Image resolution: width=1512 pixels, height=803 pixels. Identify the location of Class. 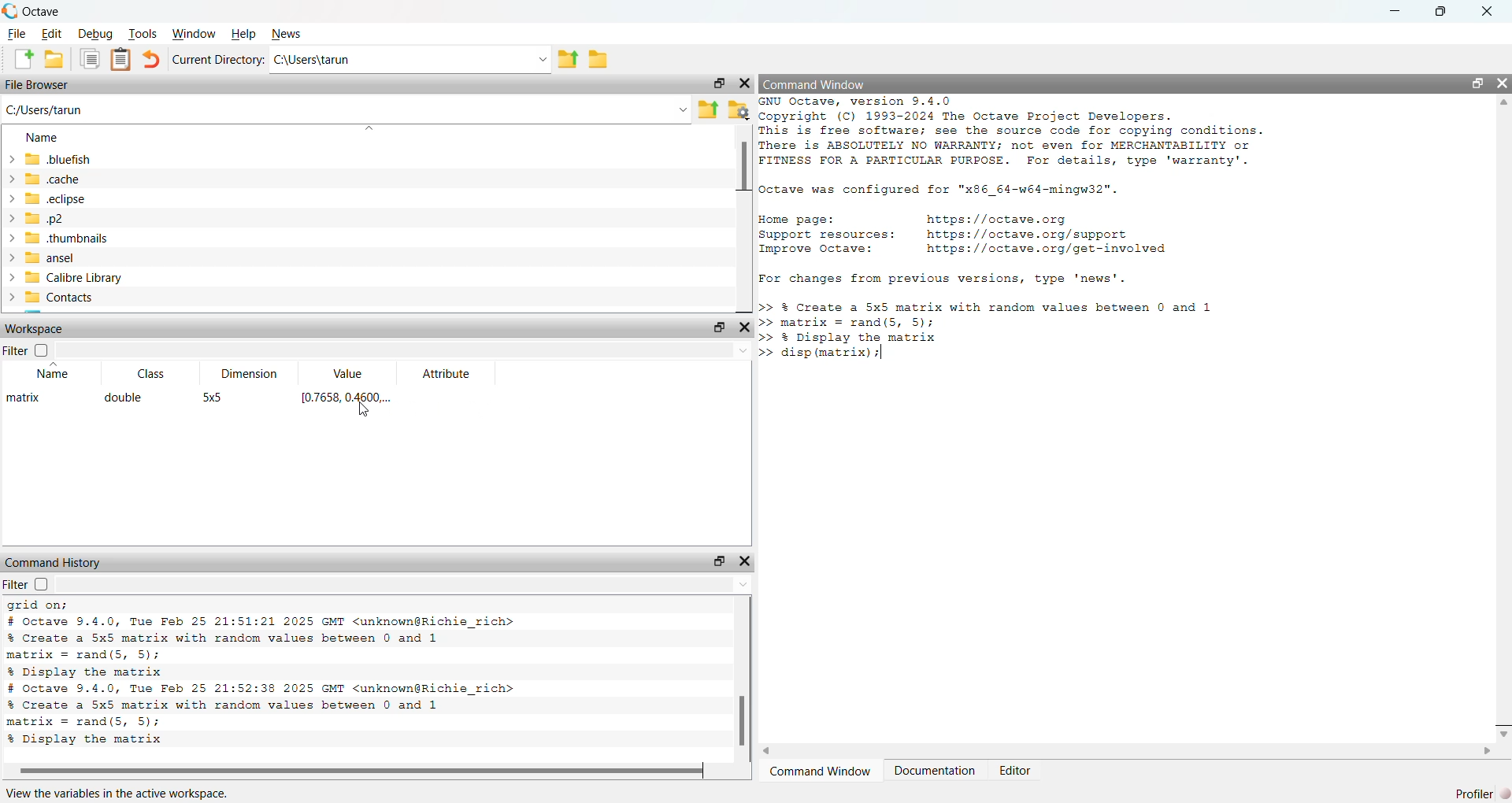
(148, 375).